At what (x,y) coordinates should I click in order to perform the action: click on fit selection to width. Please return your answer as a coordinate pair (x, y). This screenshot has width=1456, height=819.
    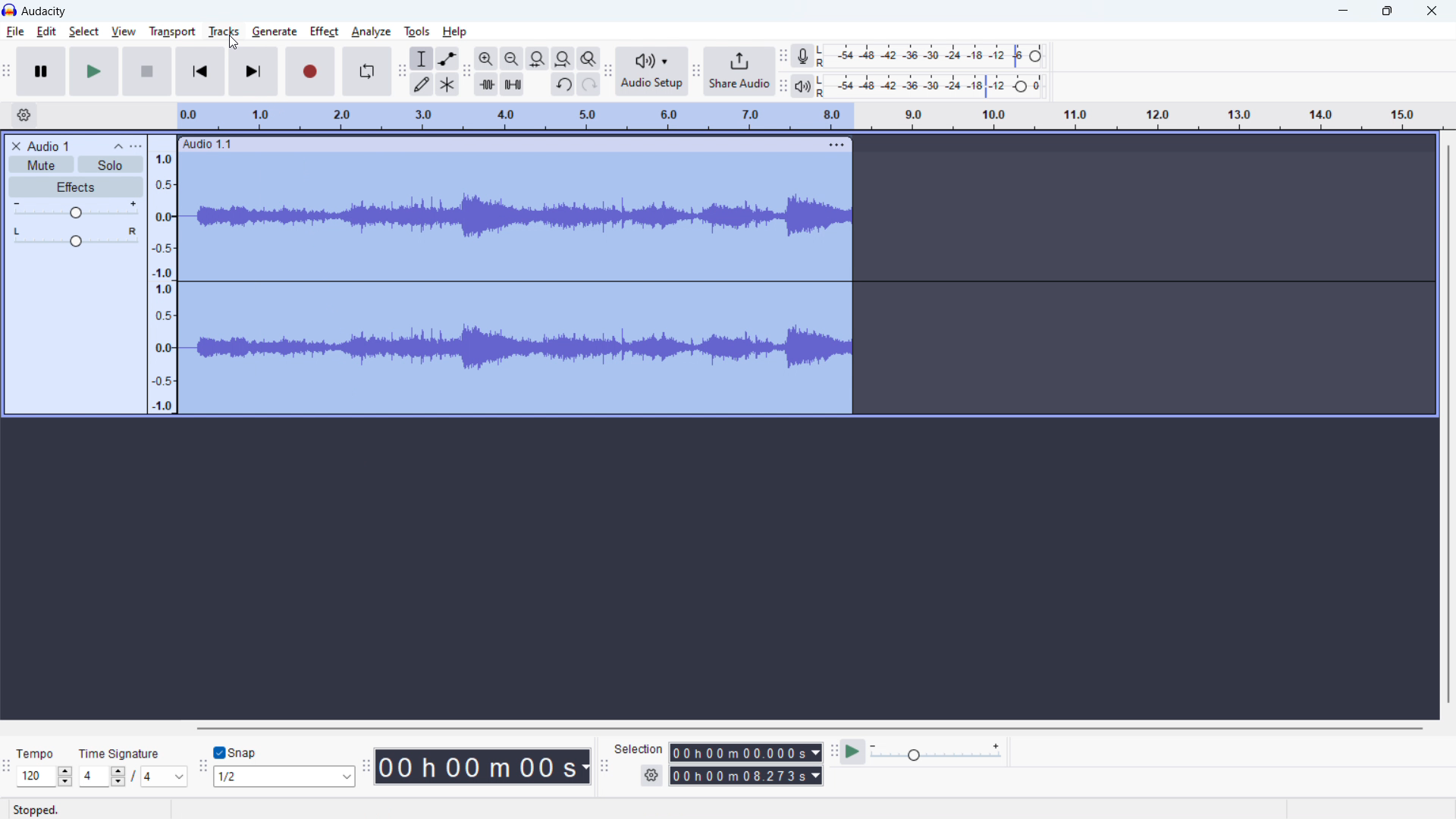
    Looking at the image, I should click on (538, 58).